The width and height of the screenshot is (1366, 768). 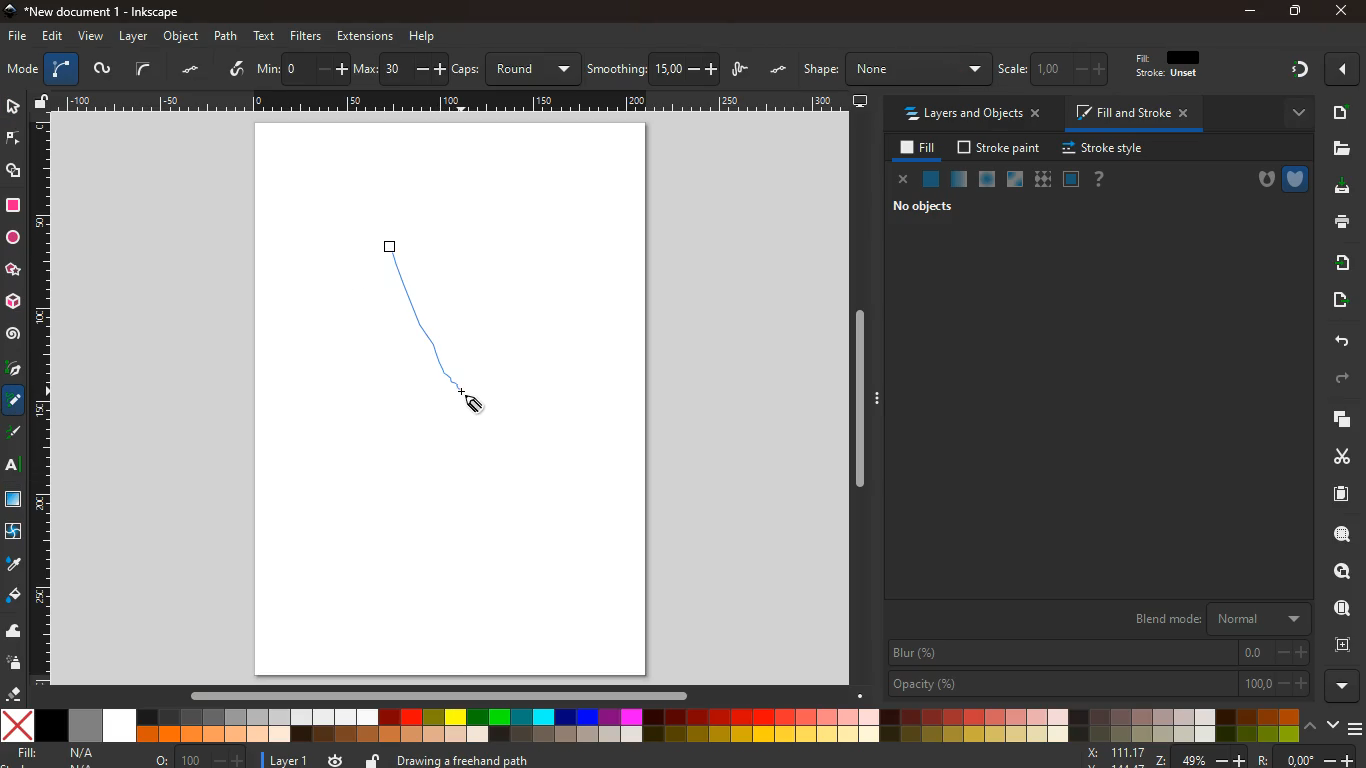 I want to click on draw, so click(x=742, y=71).